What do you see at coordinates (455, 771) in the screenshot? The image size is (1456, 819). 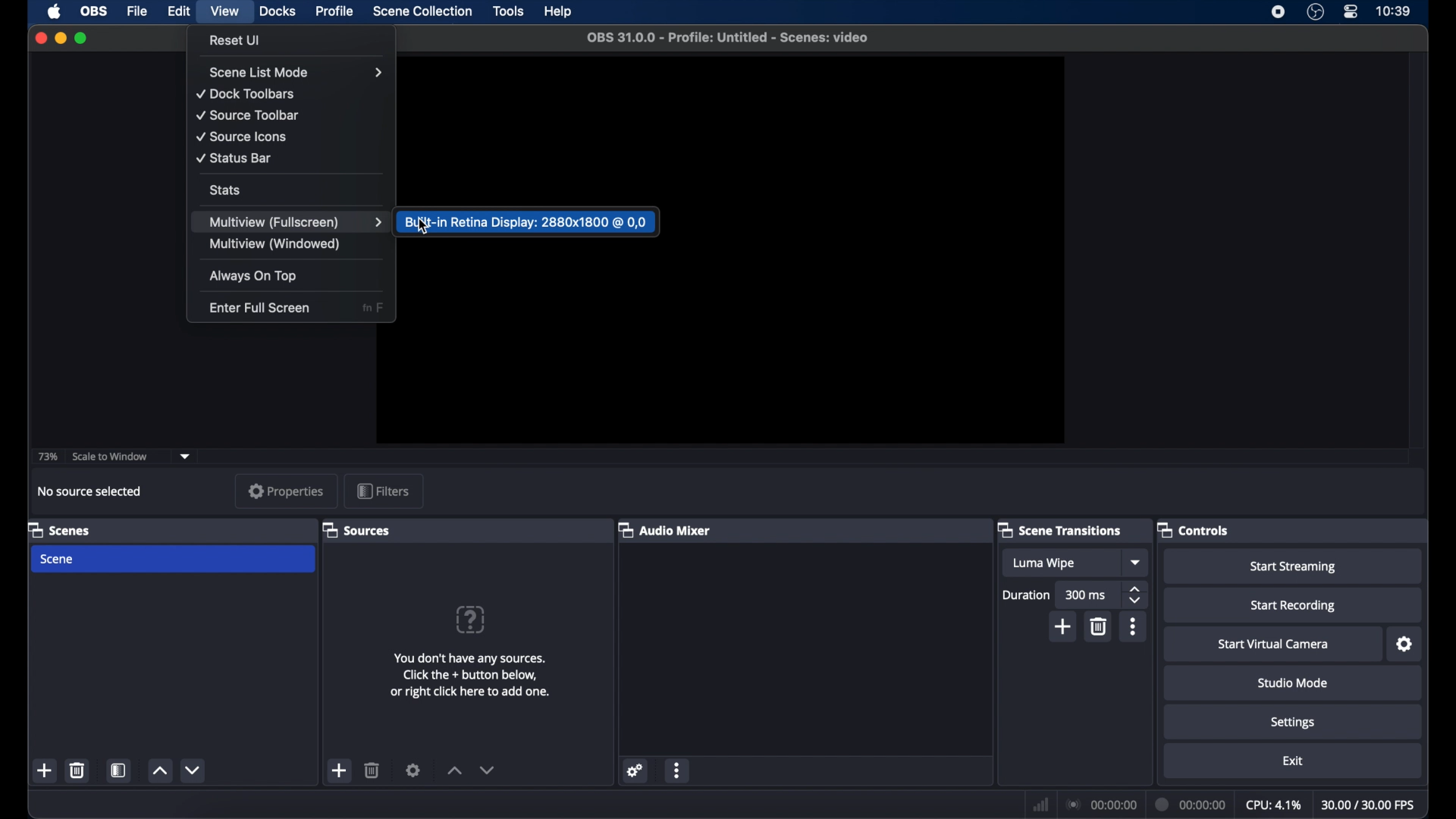 I see `increment` at bounding box center [455, 771].